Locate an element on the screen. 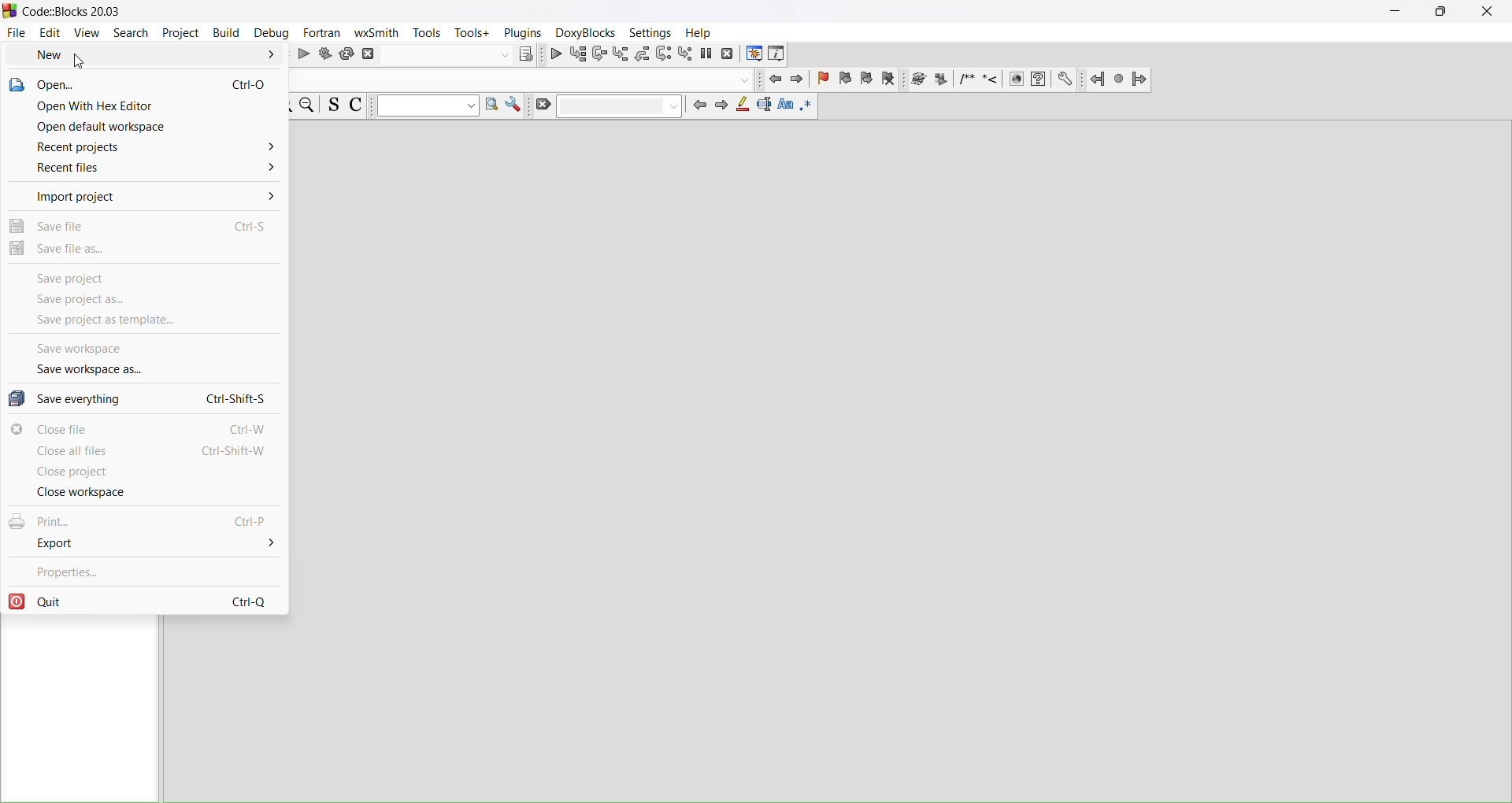  use regex is located at coordinates (809, 110).